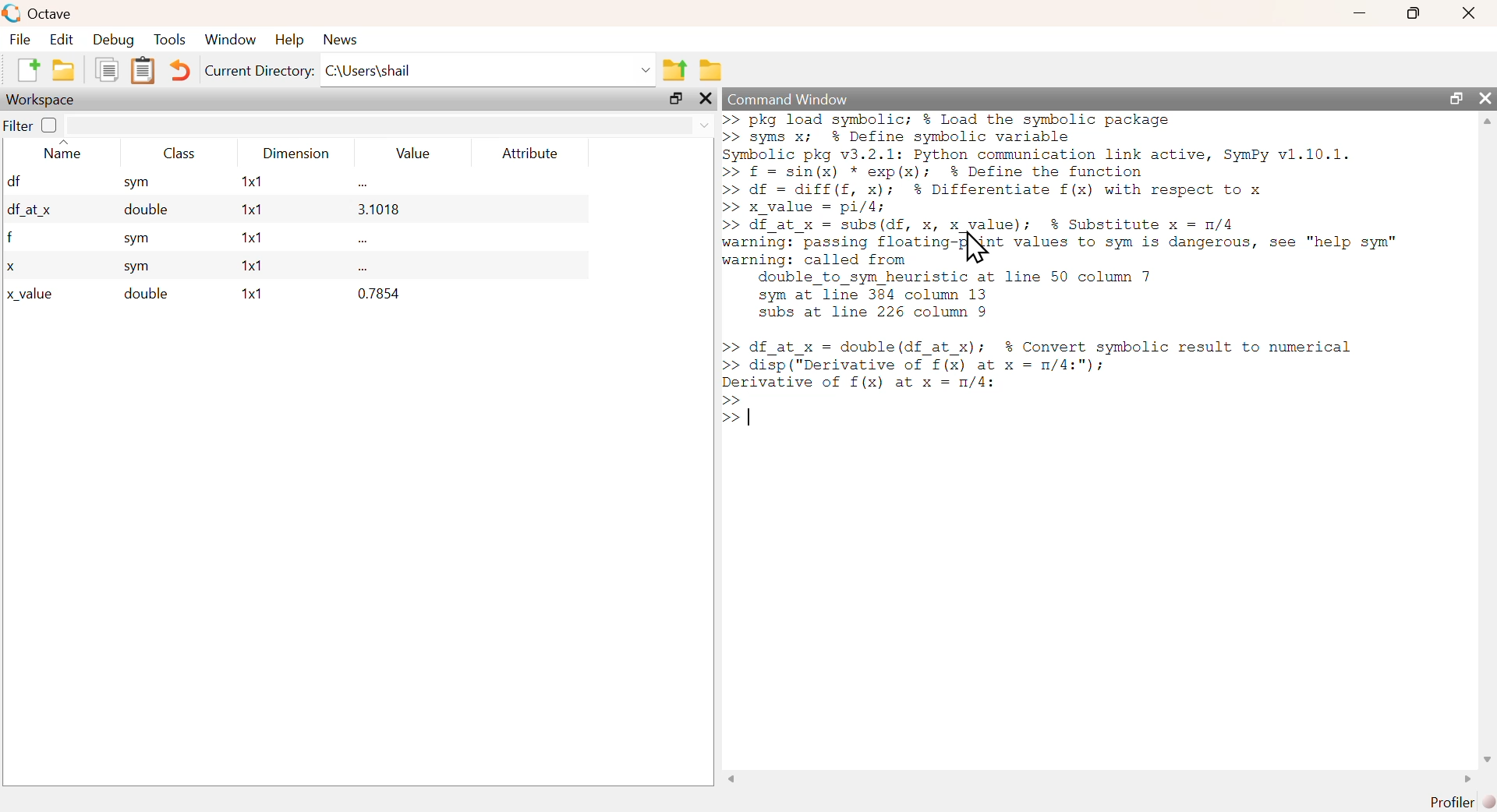 The width and height of the screenshot is (1497, 812). I want to click on f, so click(11, 238).